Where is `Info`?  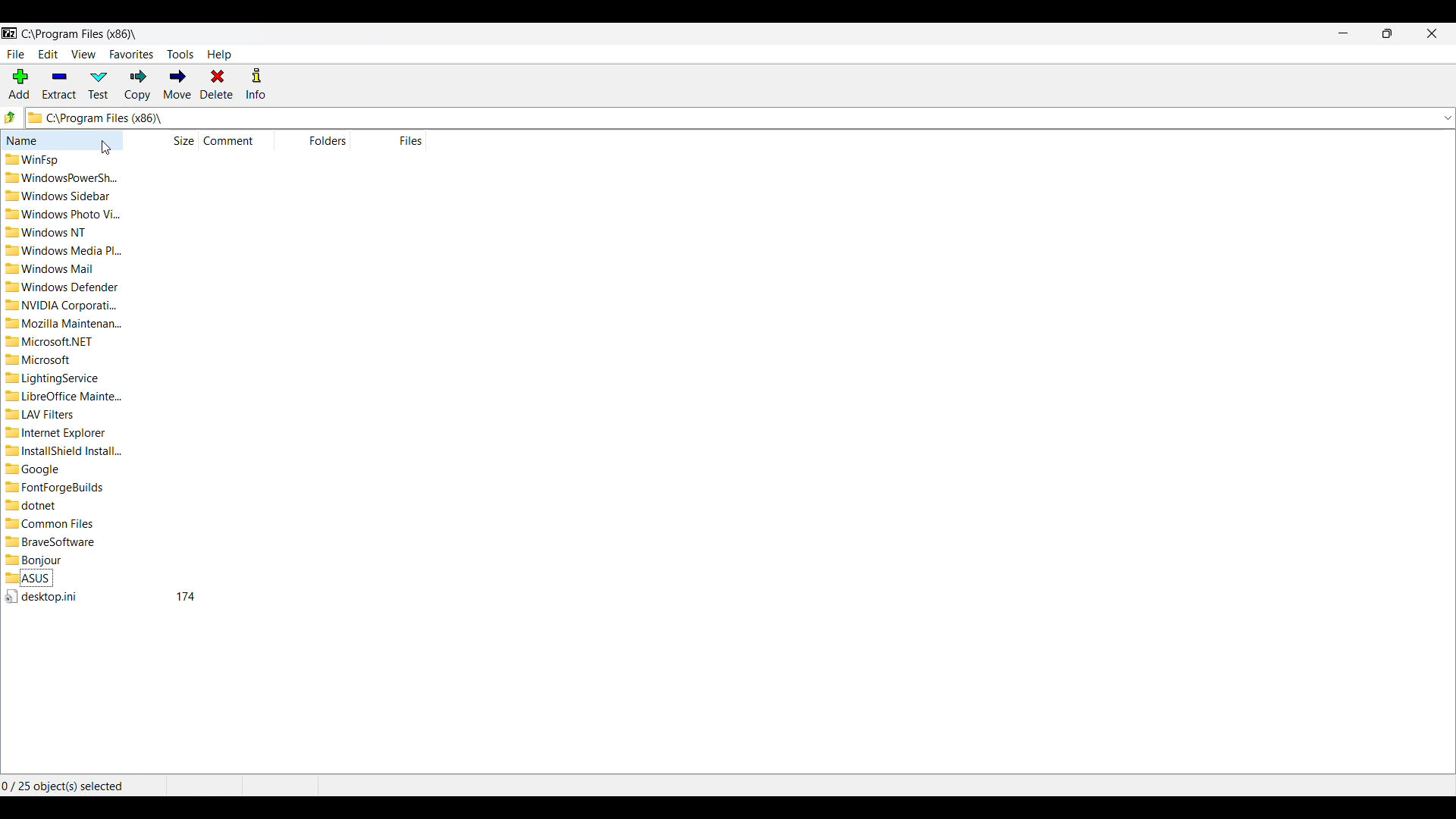 Info is located at coordinates (256, 83).